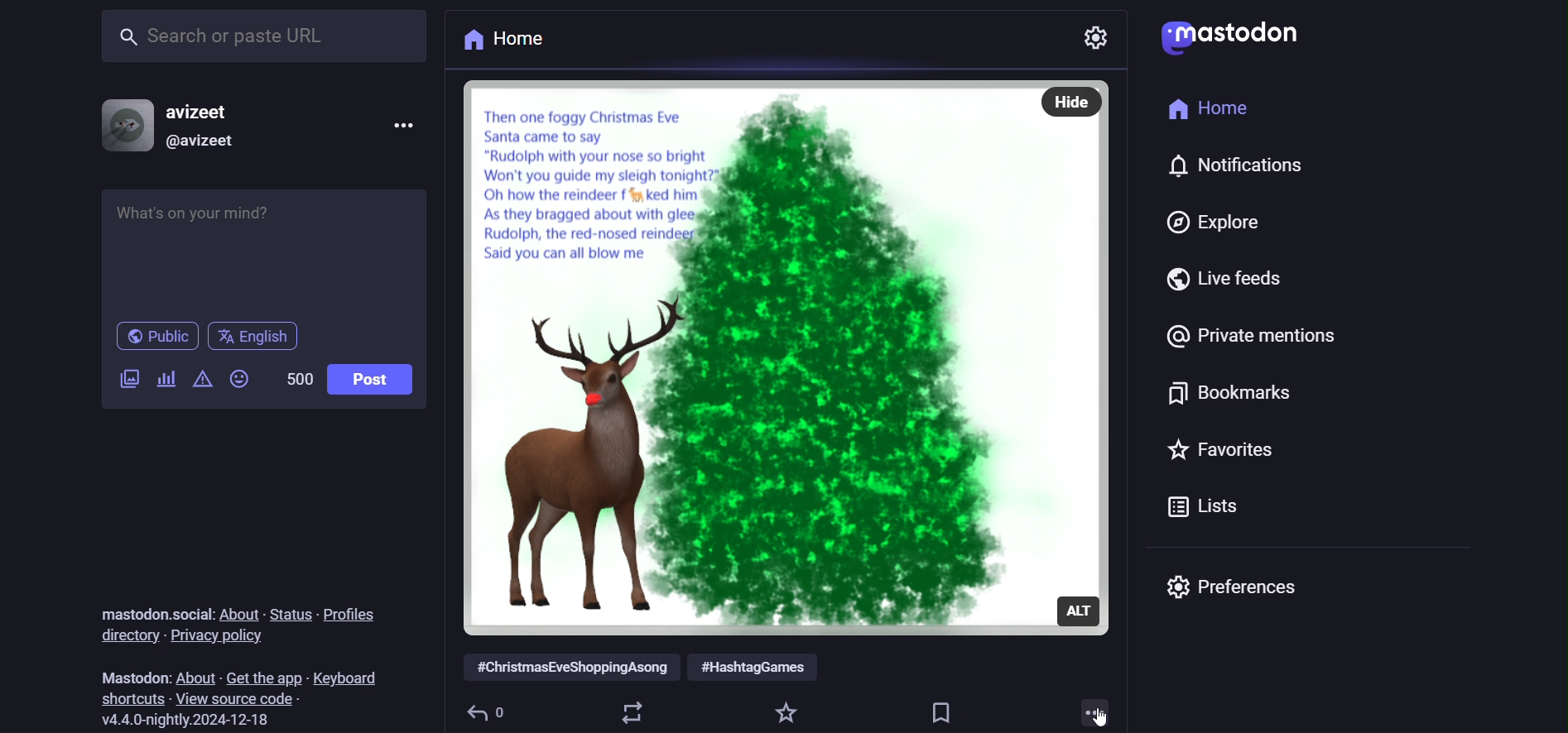 This screenshot has width=1568, height=733. What do you see at coordinates (1205, 109) in the screenshot?
I see `home` at bounding box center [1205, 109].